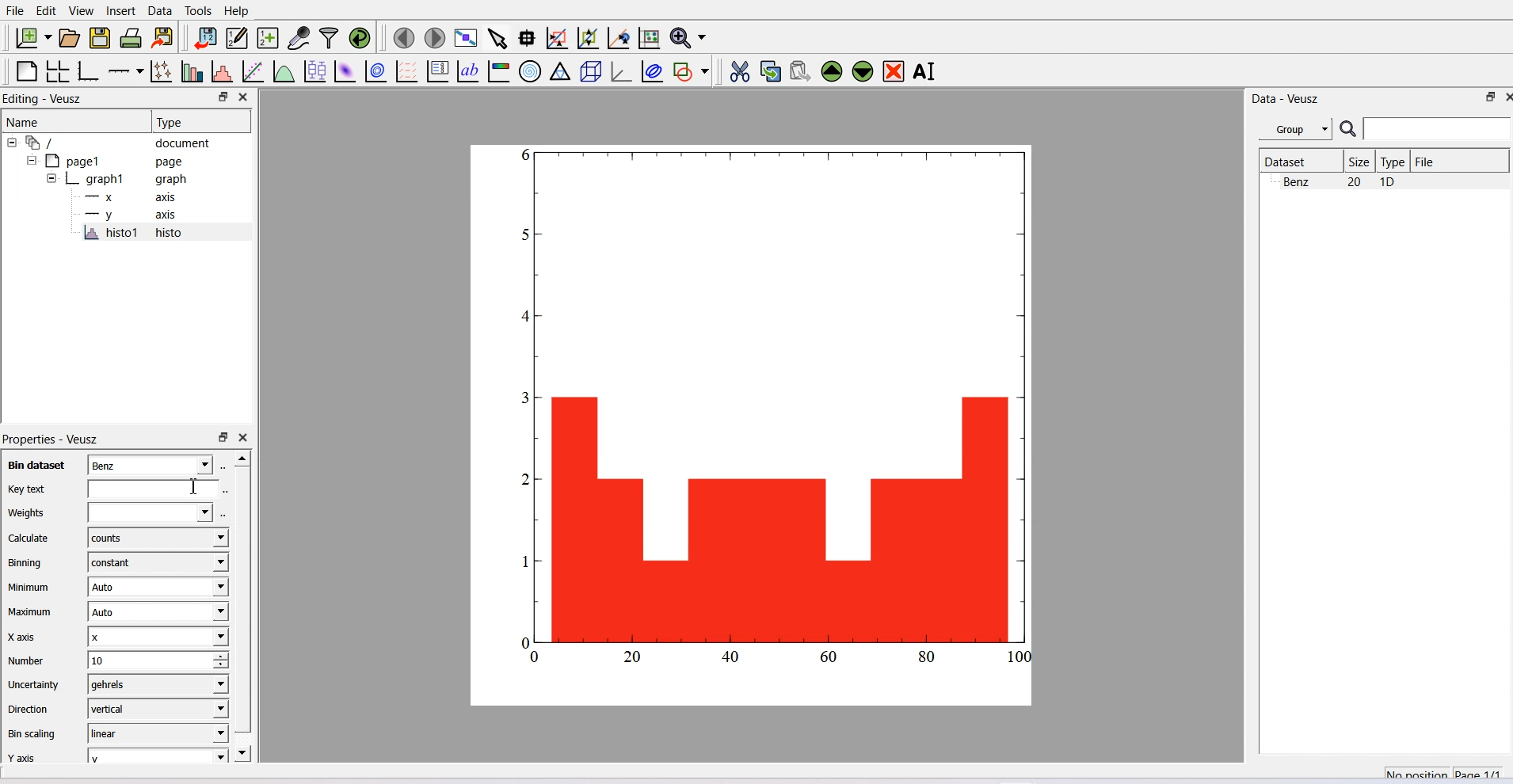 The width and height of the screenshot is (1513, 784). I want to click on Vertical scroll bar, so click(243, 599).